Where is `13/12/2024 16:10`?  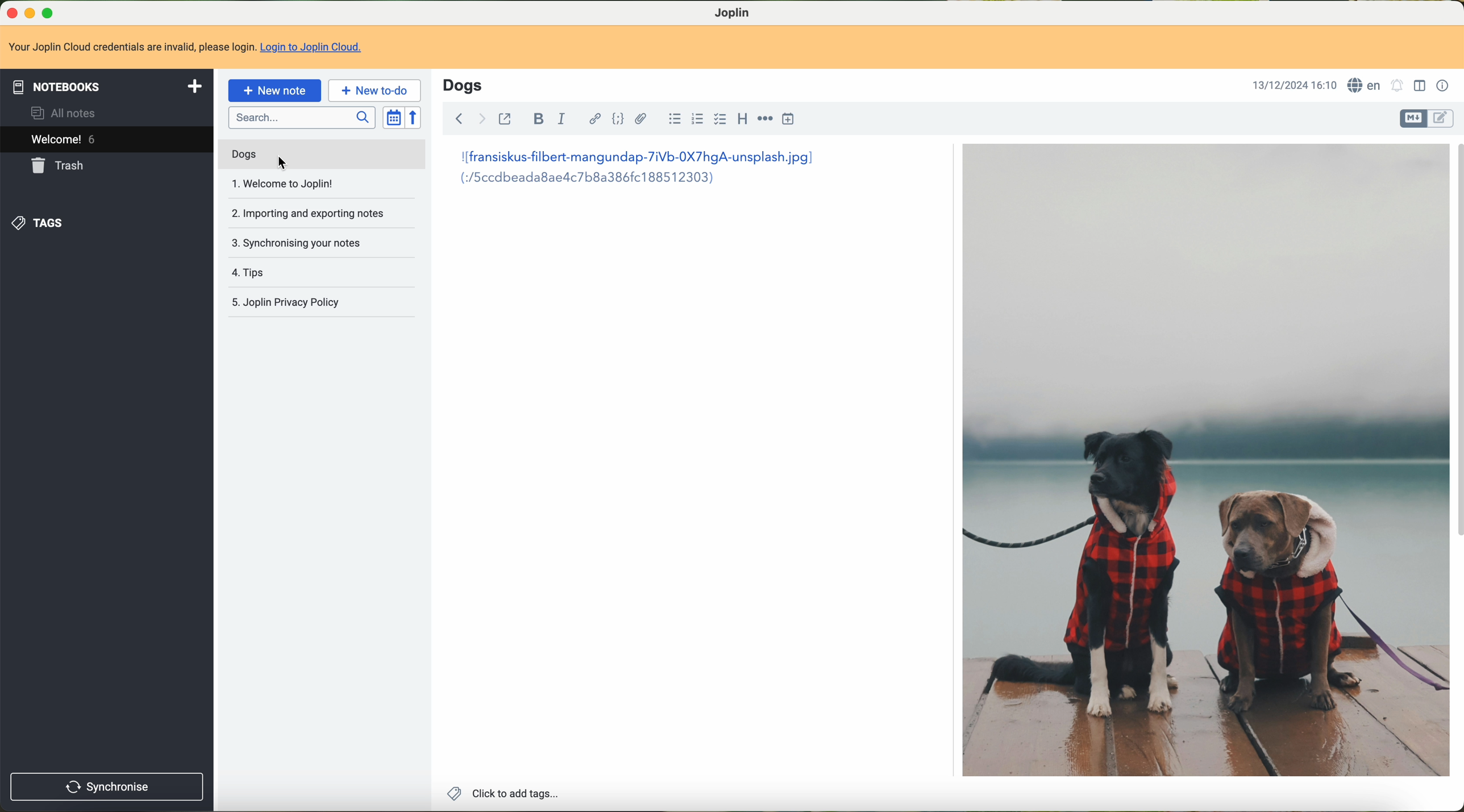 13/12/2024 16:10 is located at coordinates (1294, 85).